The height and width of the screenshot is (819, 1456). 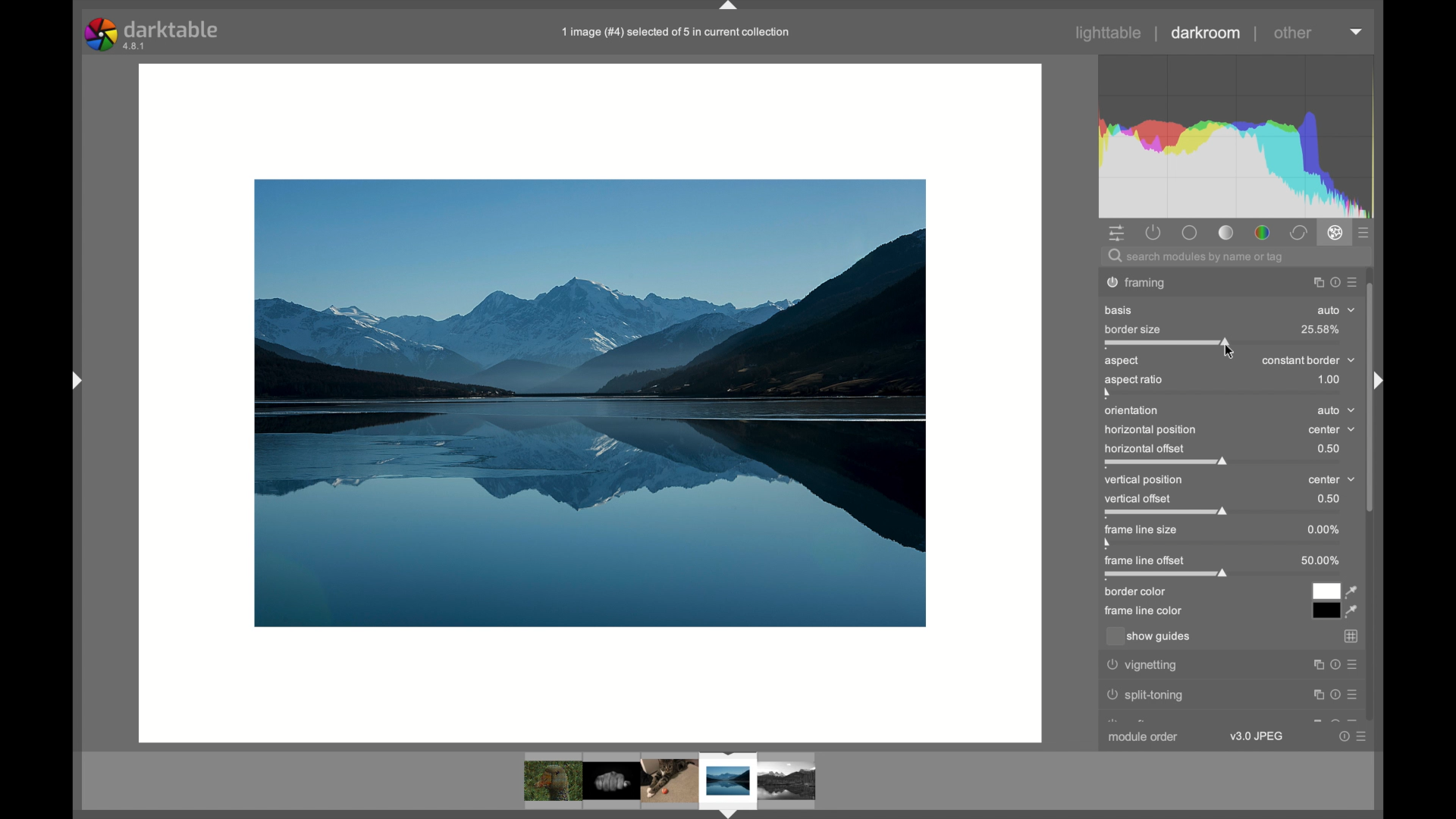 I want to click on gridlines, so click(x=1352, y=637).